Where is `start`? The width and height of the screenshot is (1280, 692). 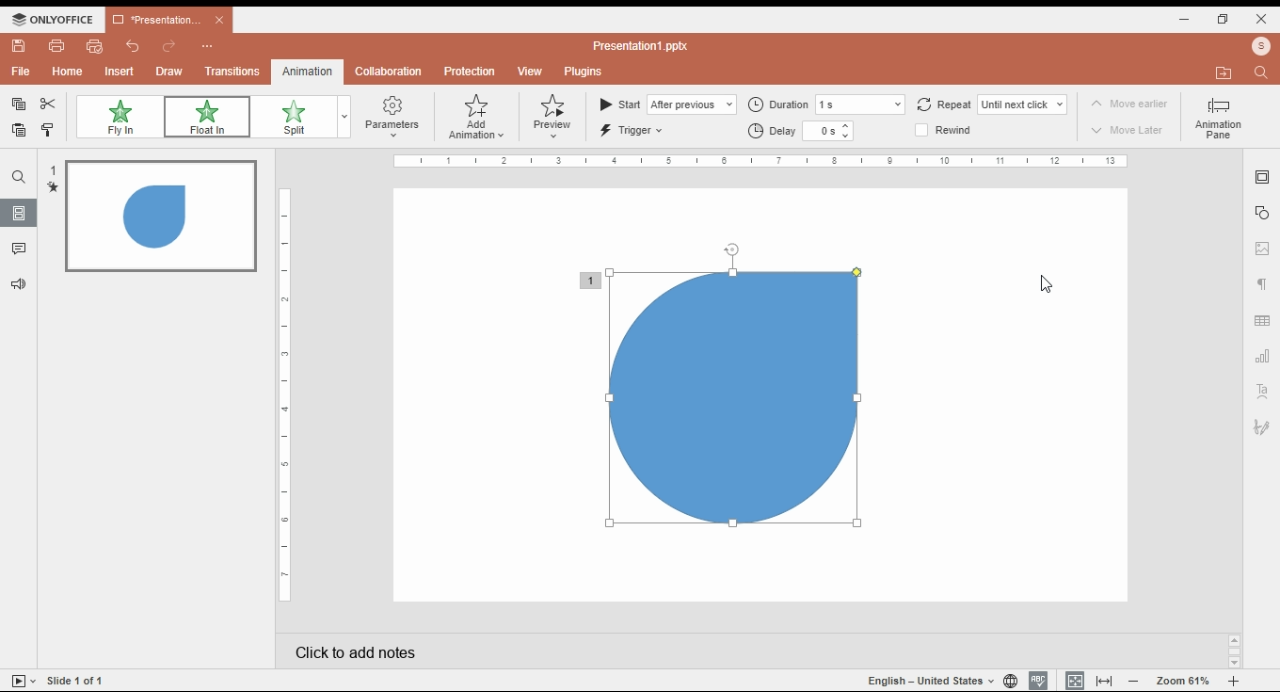 start is located at coordinates (667, 104).